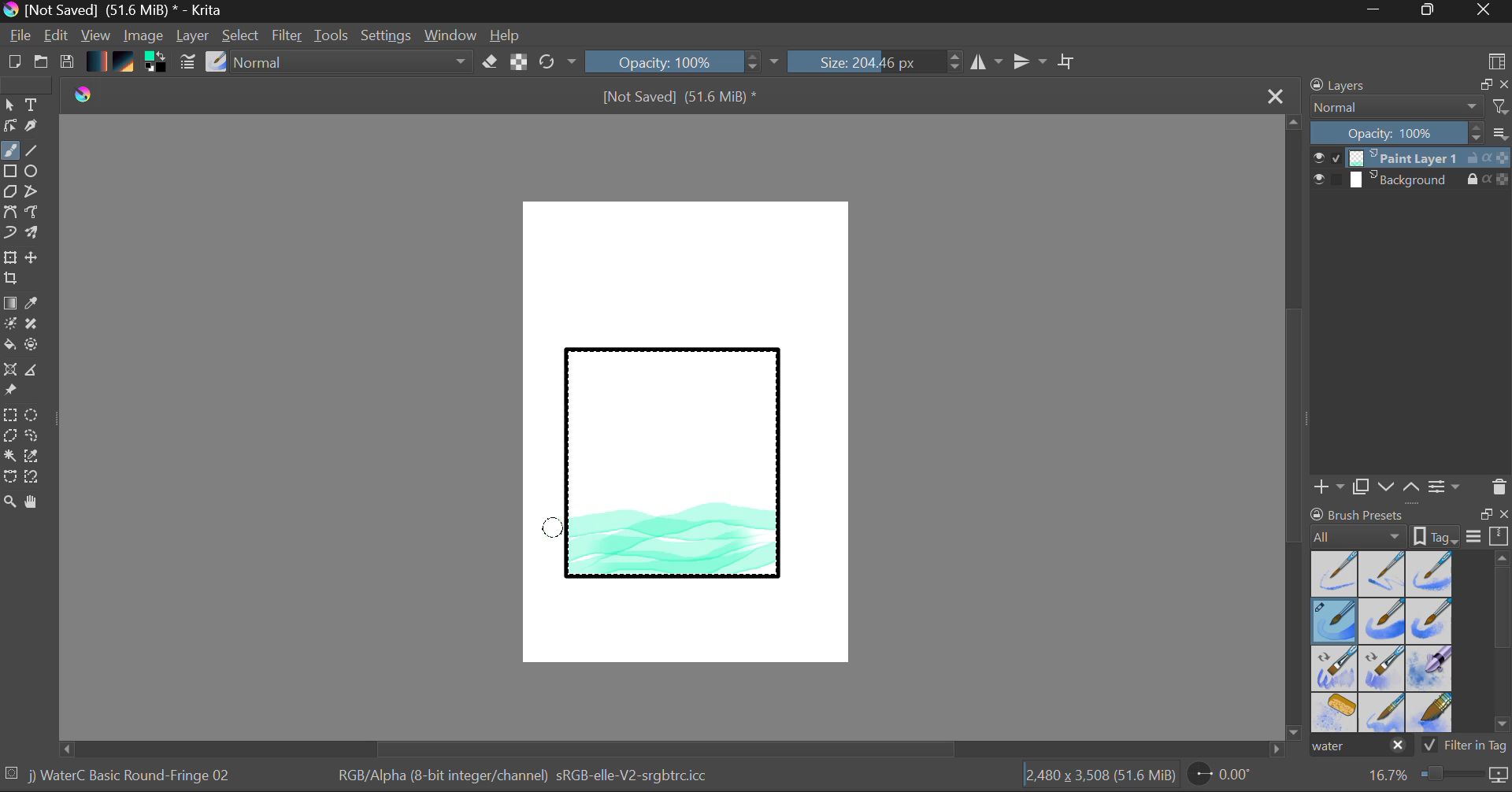 The width and height of the screenshot is (1512, 792). What do you see at coordinates (1033, 63) in the screenshot?
I see `Horizontal Mirror Flip` at bounding box center [1033, 63].